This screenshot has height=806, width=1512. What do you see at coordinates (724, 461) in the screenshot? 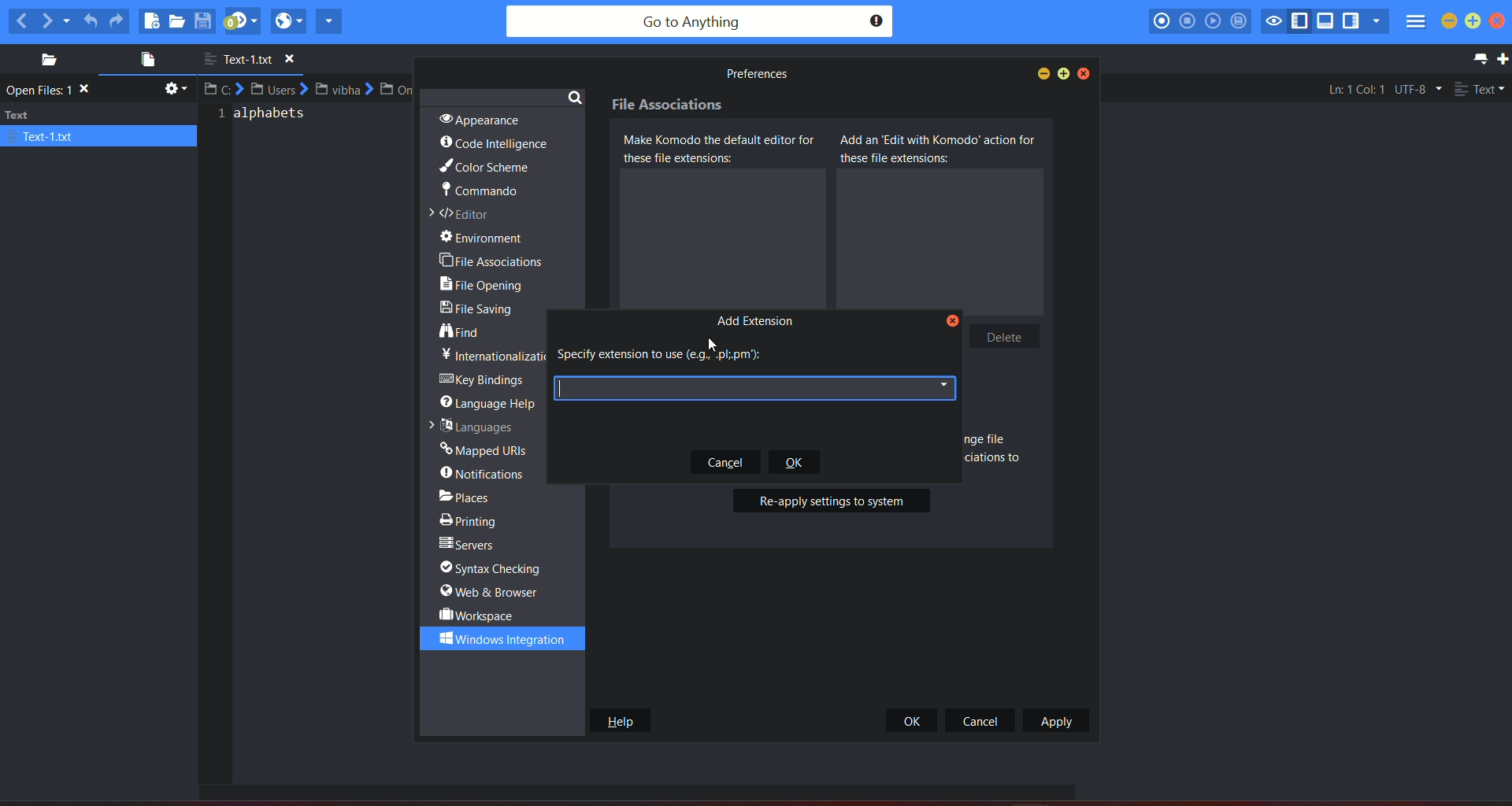
I see `cancel` at bounding box center [724, 461].